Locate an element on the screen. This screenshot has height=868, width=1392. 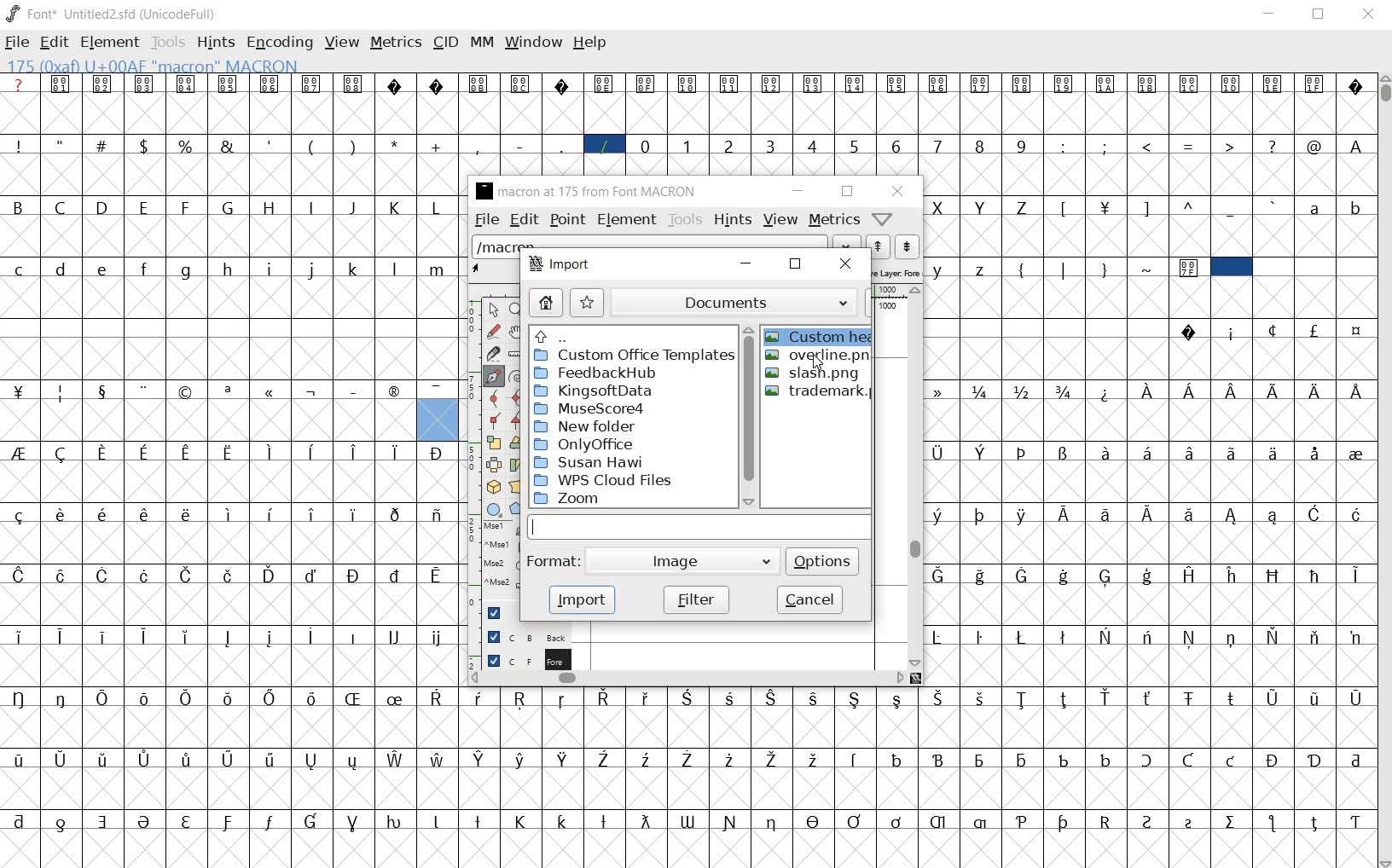
Symbol is located at coordinates (481, 758).